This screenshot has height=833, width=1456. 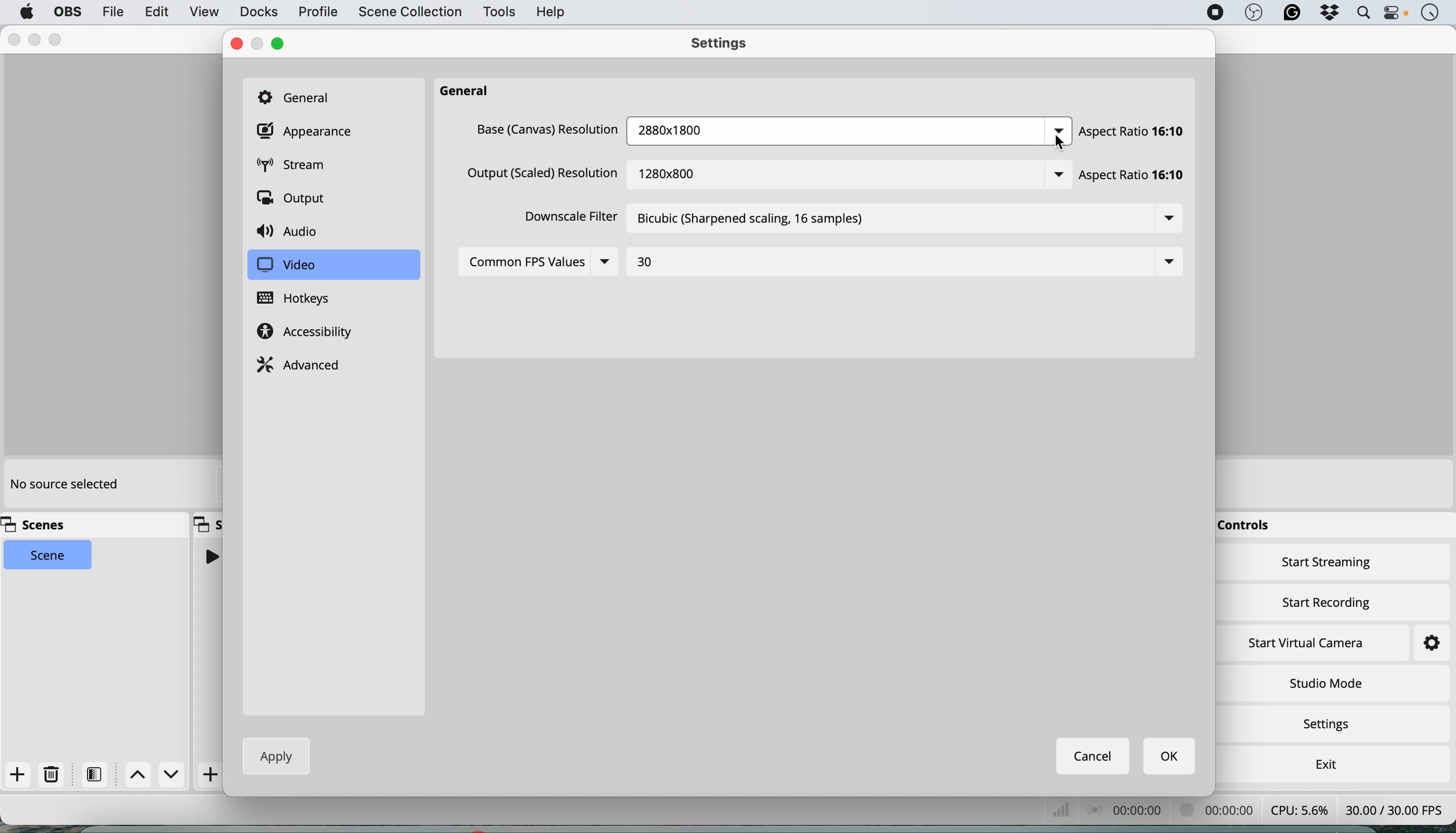 What do you see at coordinates (258, 43) in the screenshot?
I see `minimize` at bounding box center [258, 43].